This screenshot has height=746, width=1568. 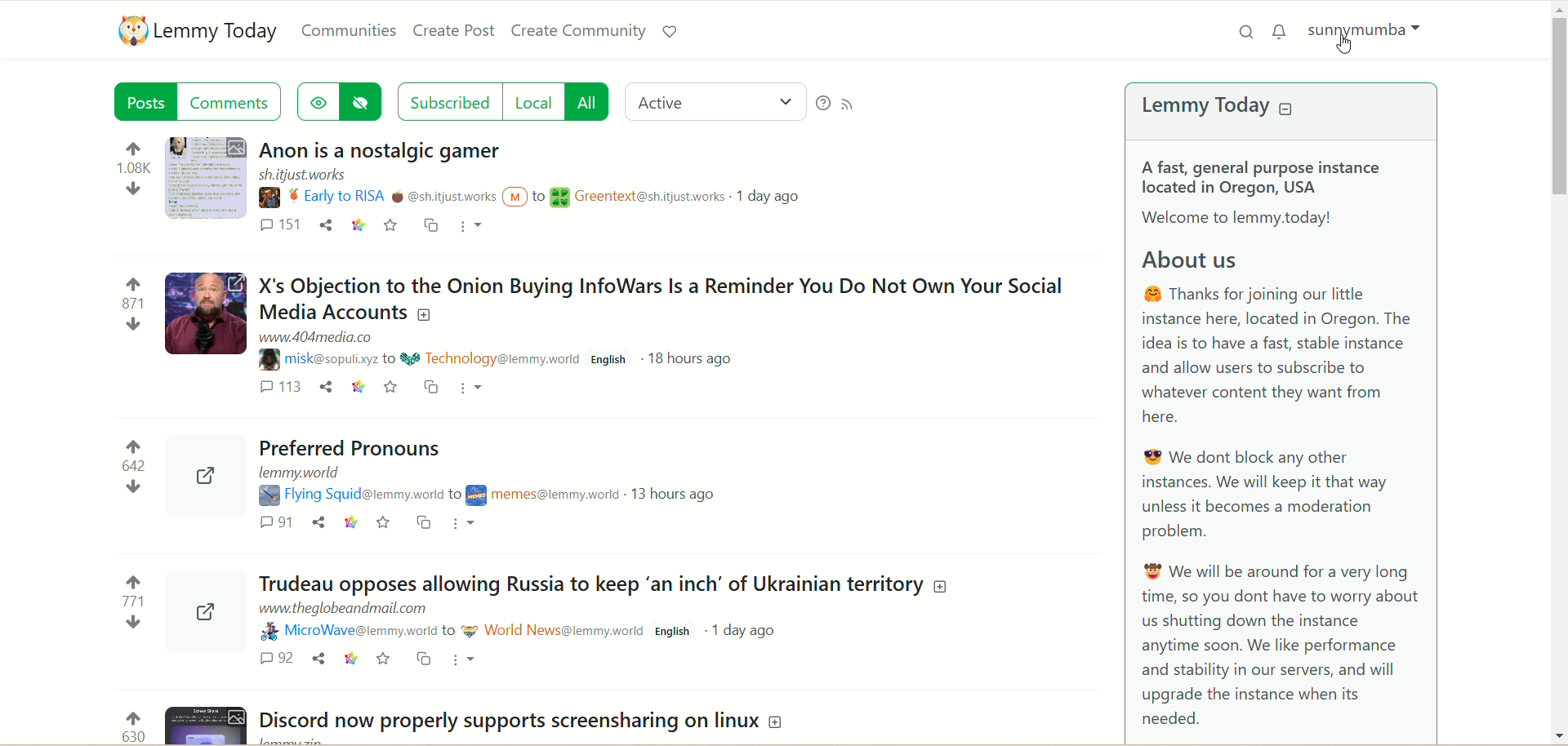 I want to click on Favorite, so click(x=394, y=388).